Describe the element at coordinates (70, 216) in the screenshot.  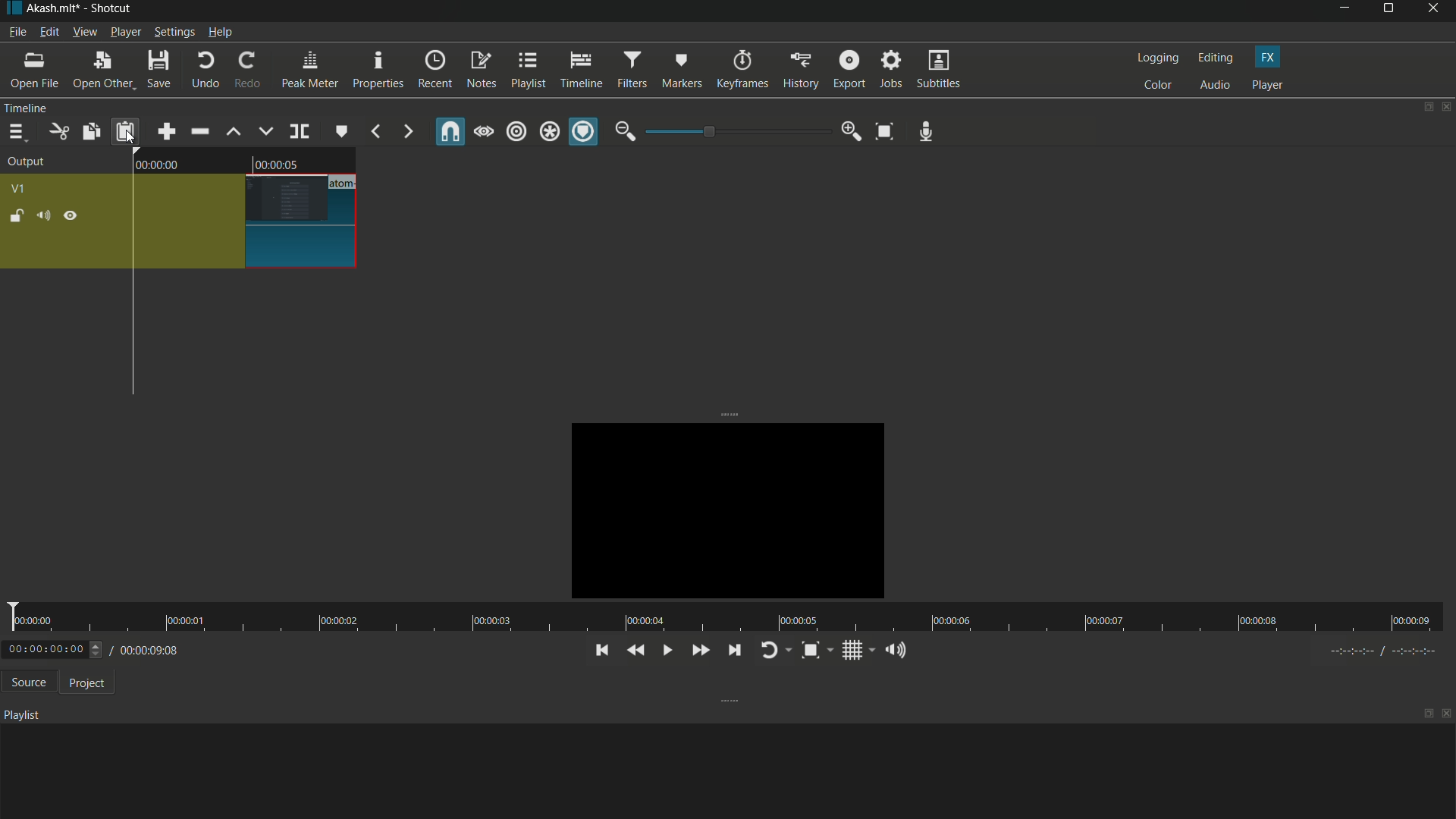
I see `hide` at that location.